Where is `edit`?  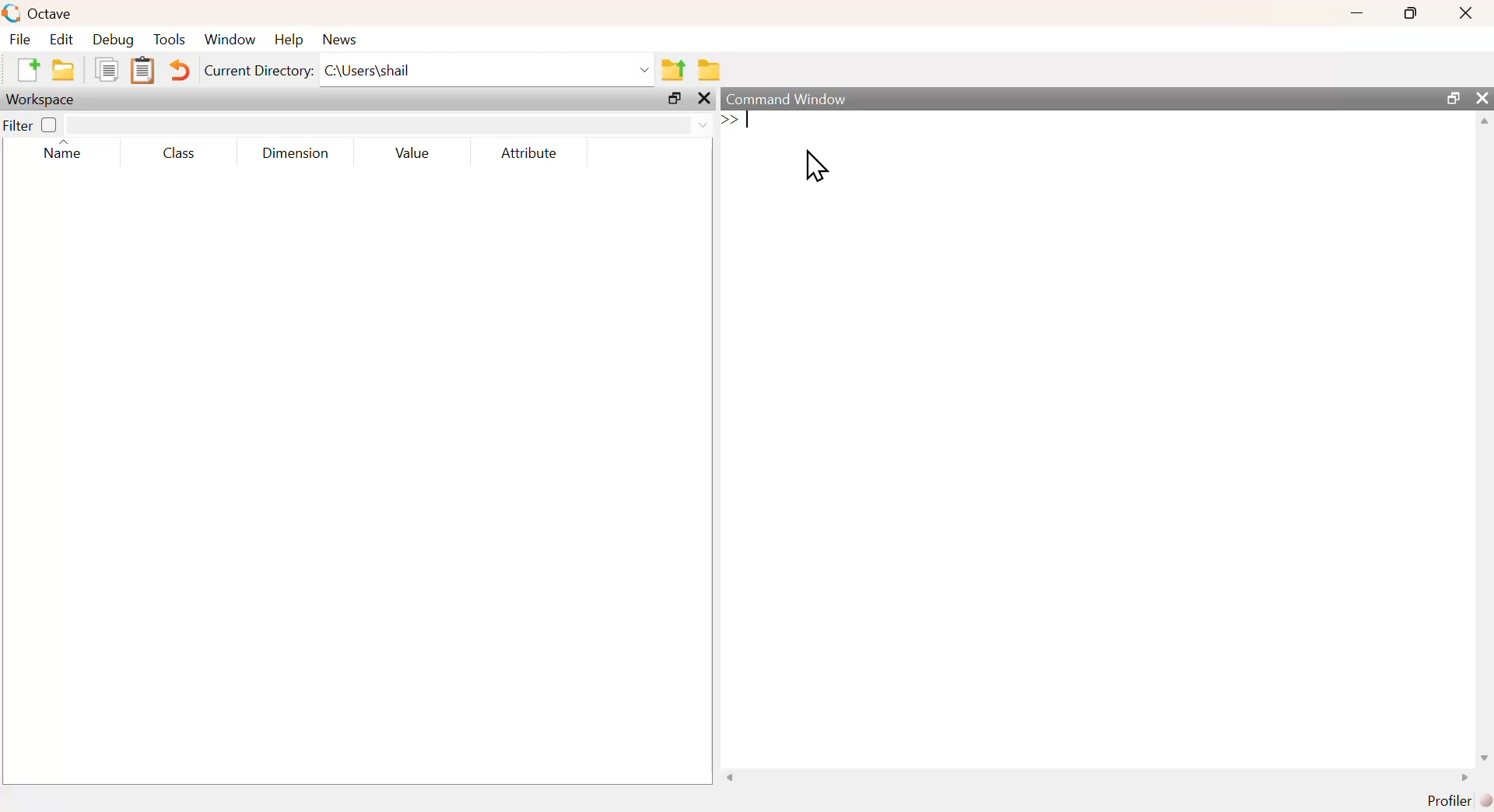
edit is located at coordinates (60, 40).